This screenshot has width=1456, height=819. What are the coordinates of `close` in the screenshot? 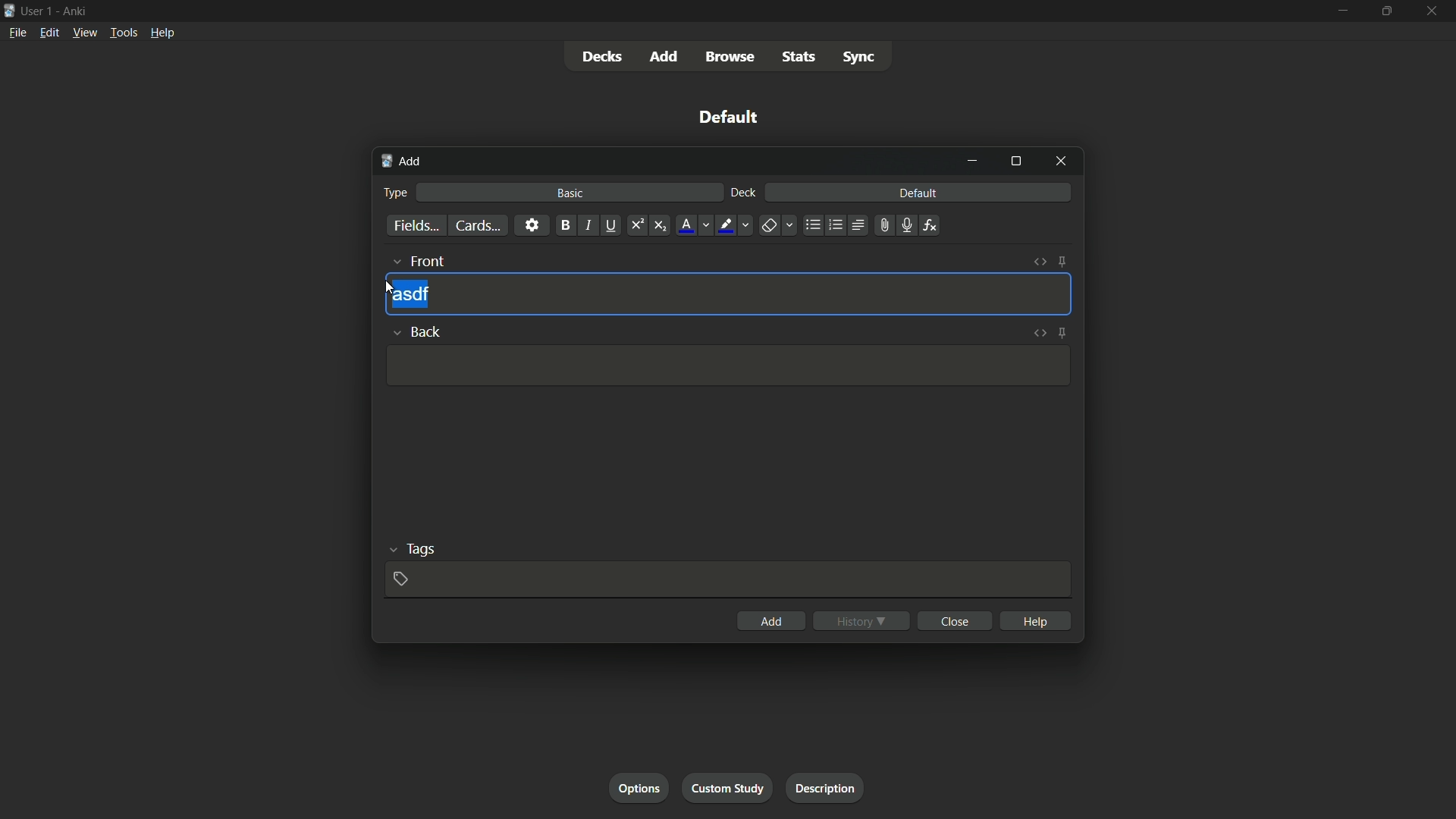 It's located at (1430, 11).